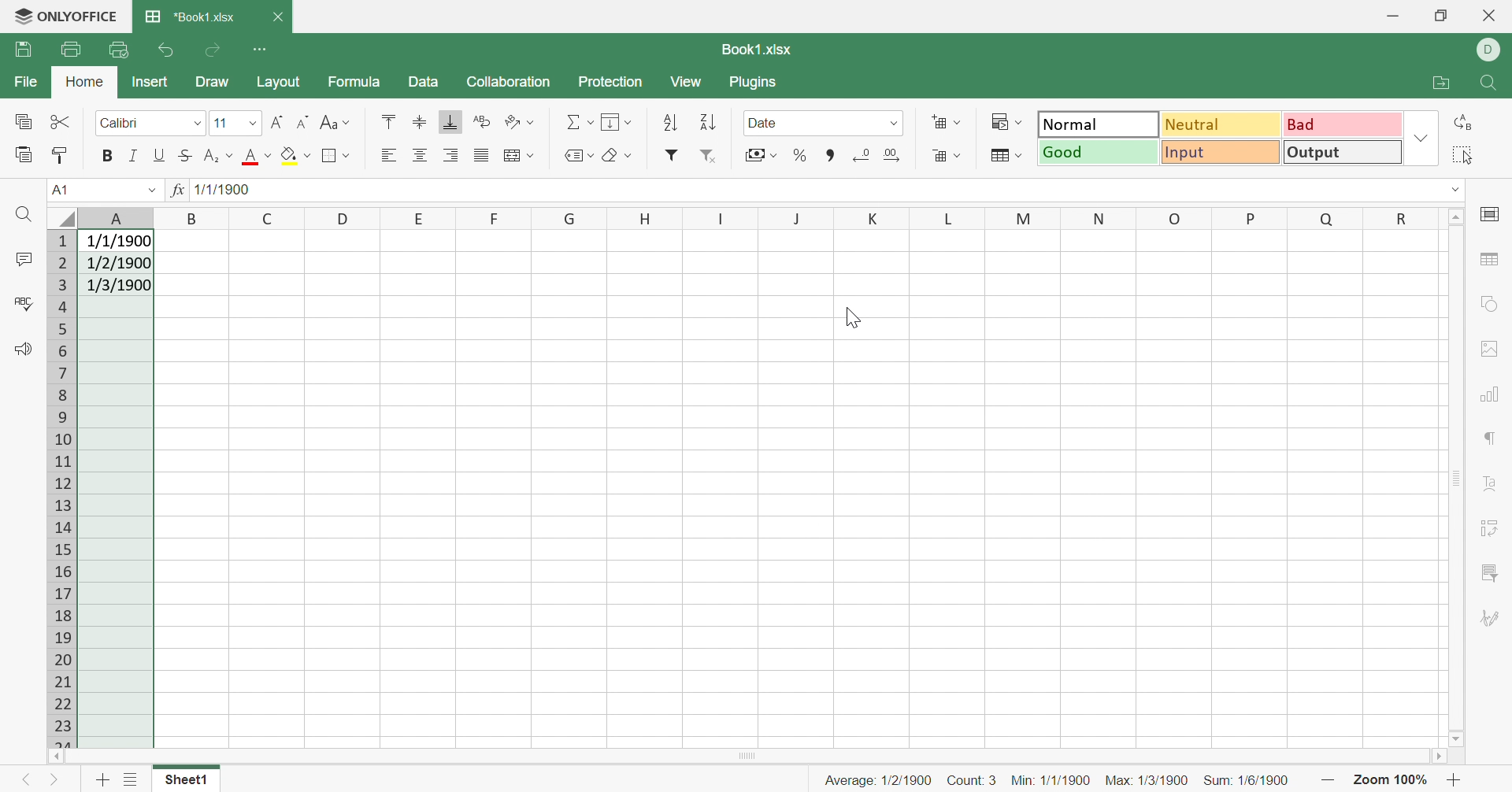  What do you see at coordinates (758, 48) in the screenshot?
I see `Book1.xlsx` at bounding box center [758, 48].